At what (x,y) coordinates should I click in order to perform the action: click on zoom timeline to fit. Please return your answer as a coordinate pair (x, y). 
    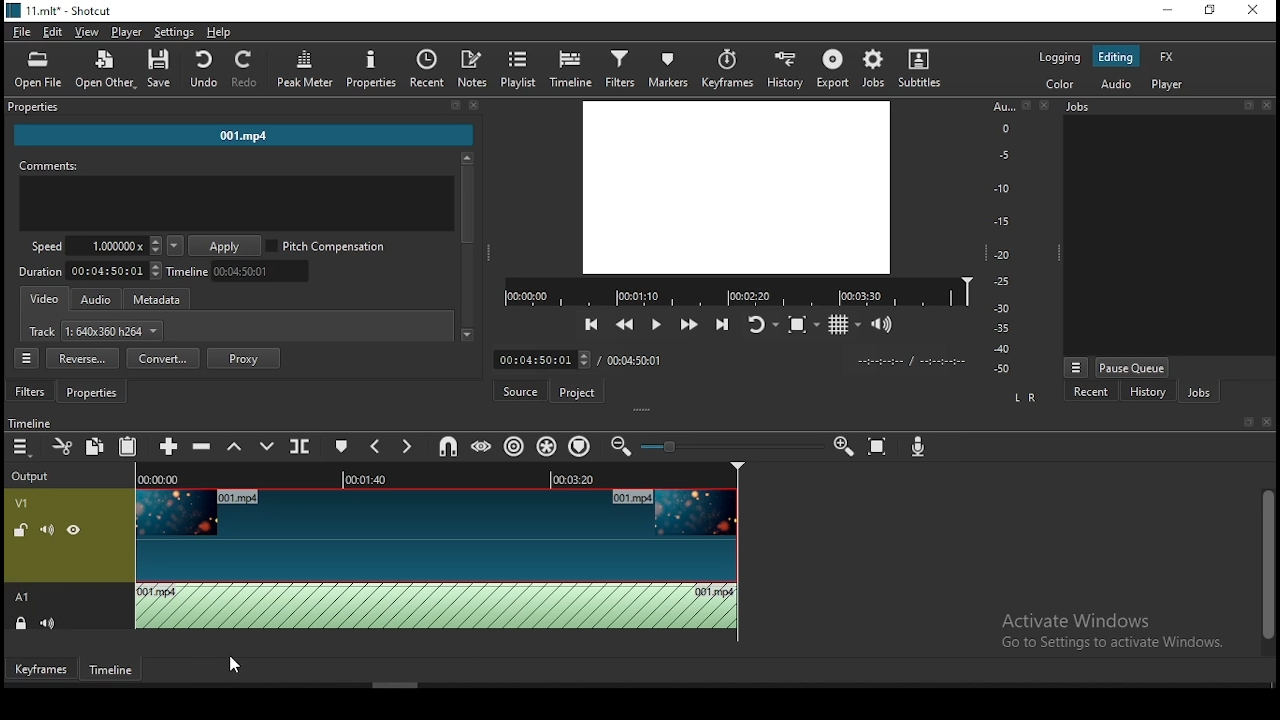
    Looking at the image, I should click on (879, 444).